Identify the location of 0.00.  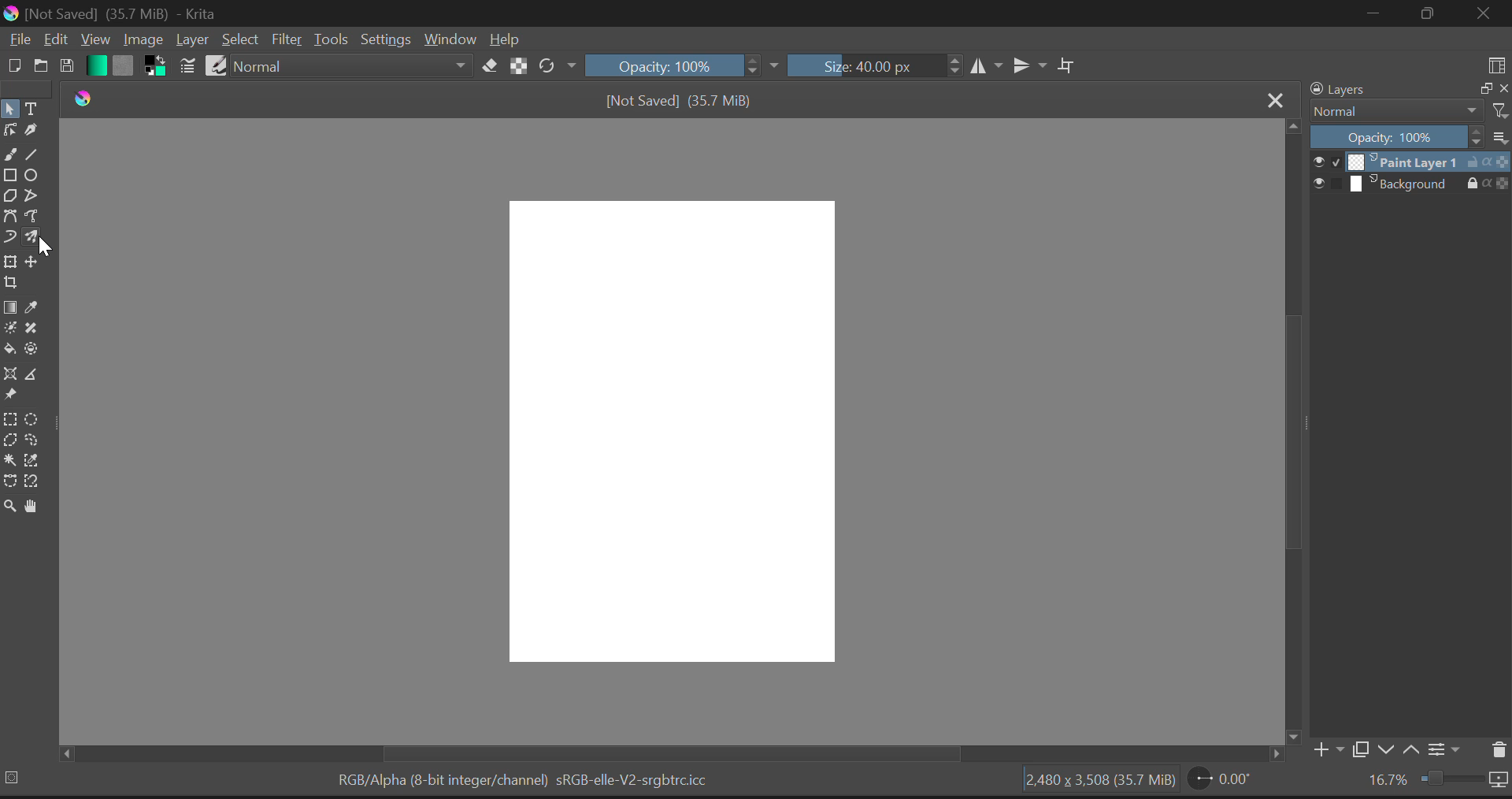
(1225, 779).